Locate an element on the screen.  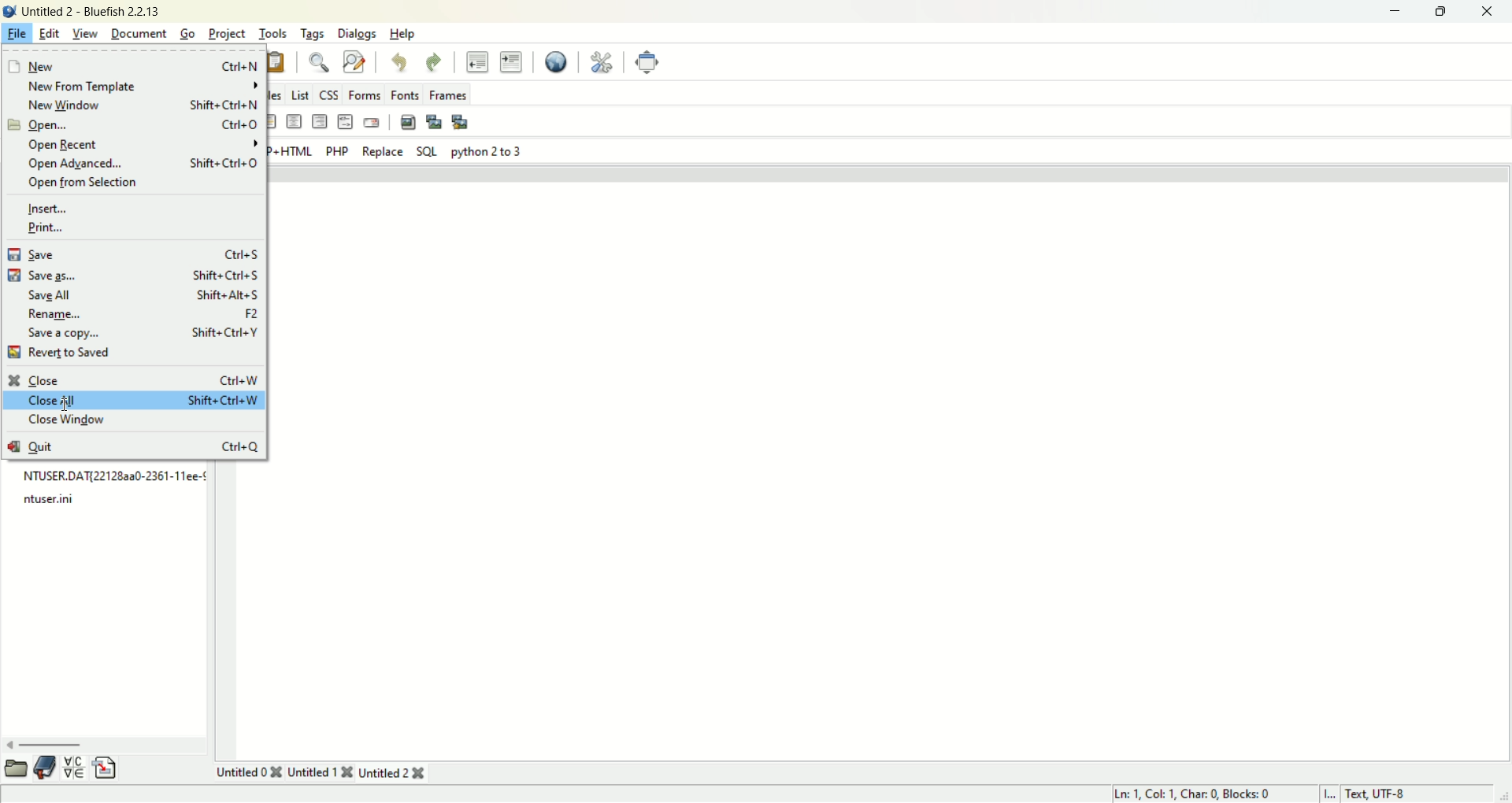
insert special character is located at coordinates (76, 765).